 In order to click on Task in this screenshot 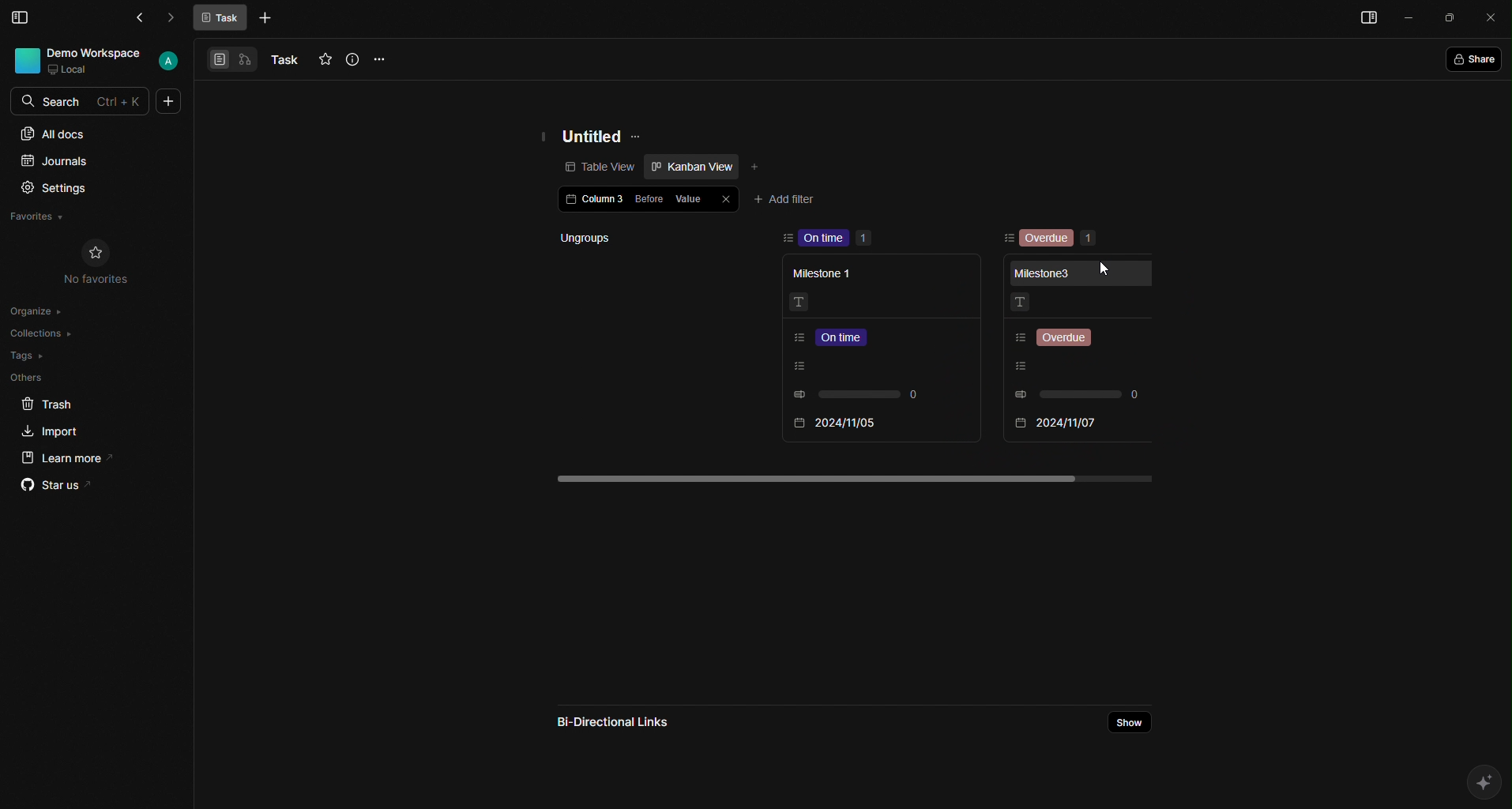, I will do `click(220, 18)`.